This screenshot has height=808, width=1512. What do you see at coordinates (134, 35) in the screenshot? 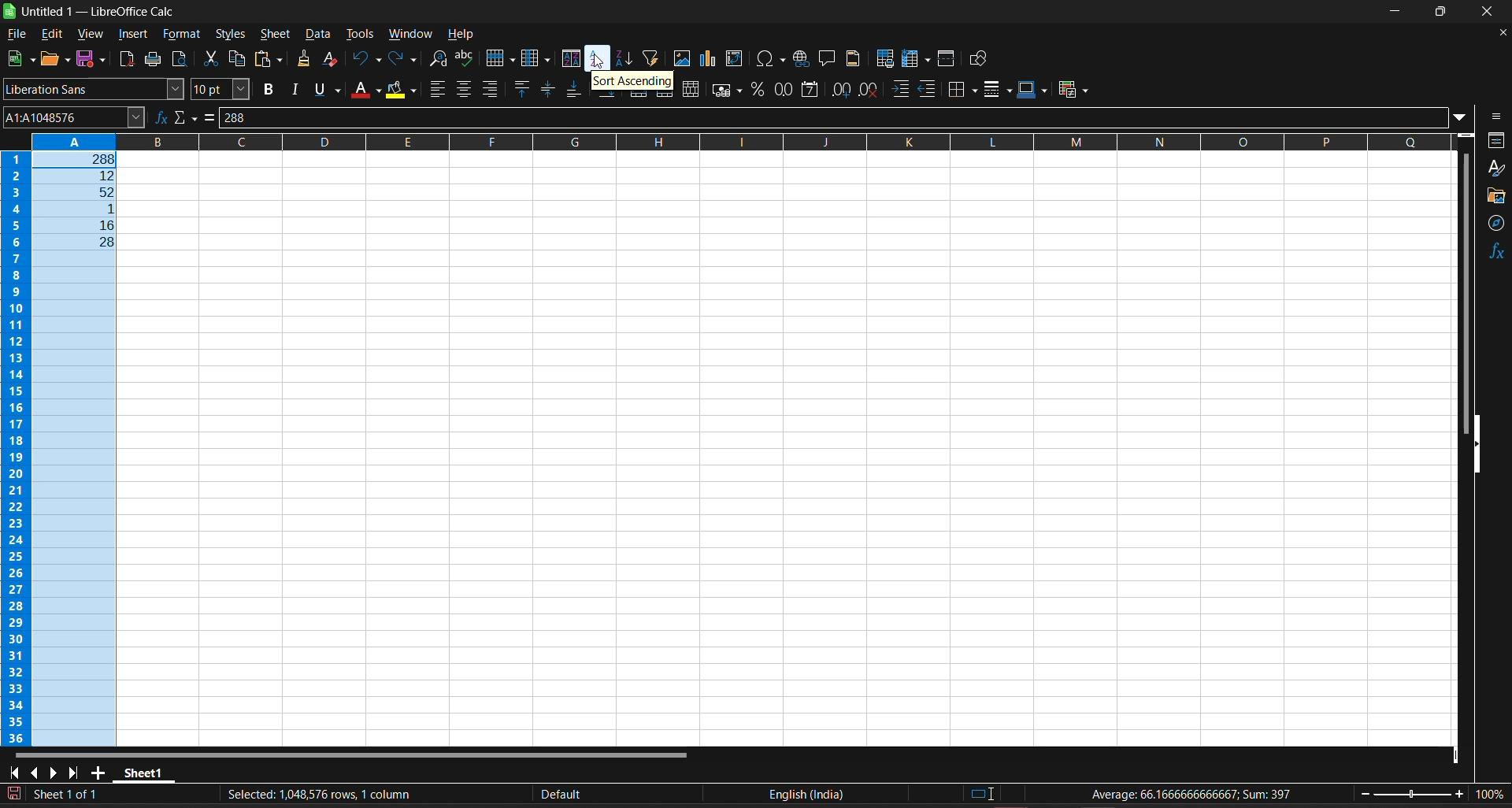
I see `insert` at bounding box center [134, 35].